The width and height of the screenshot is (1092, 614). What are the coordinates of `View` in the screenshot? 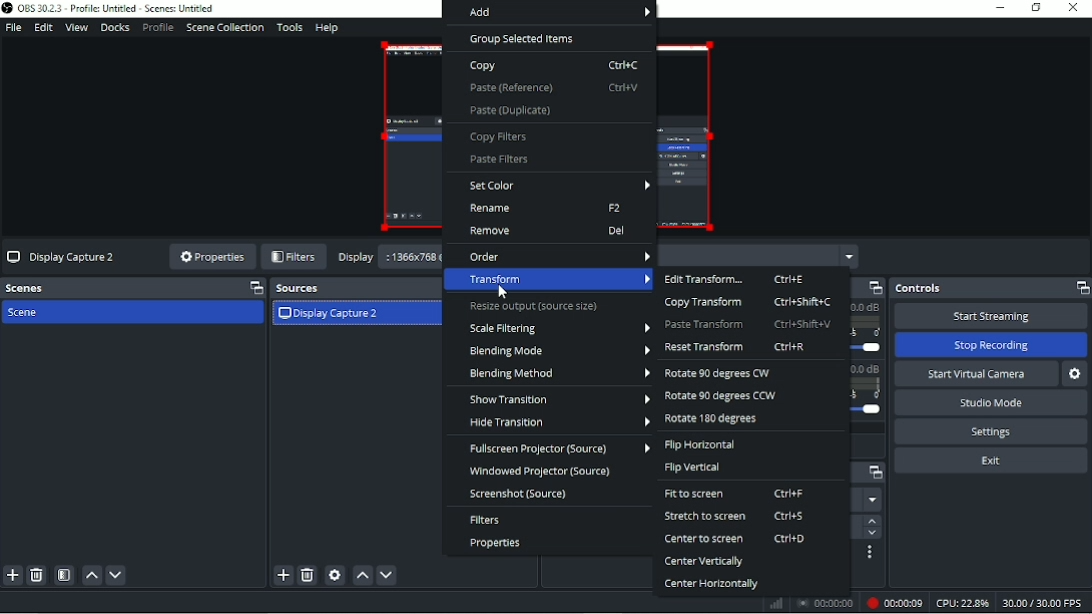 It's located at (76, 28).